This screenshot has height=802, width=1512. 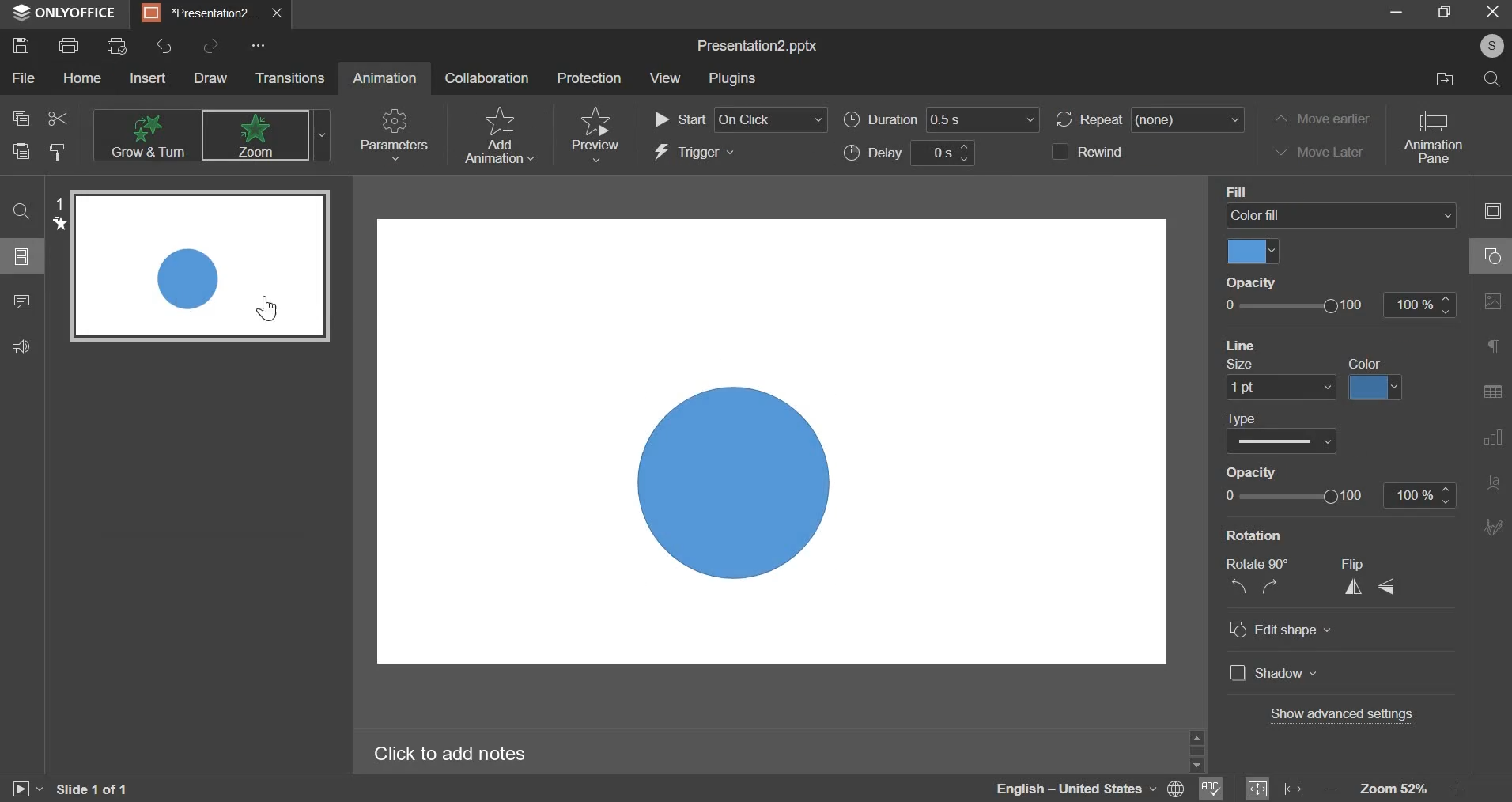 What do you see at coordinates (1247, 282) in the screenshot?
I see `Opacity` at bounding box center [1247, 282].